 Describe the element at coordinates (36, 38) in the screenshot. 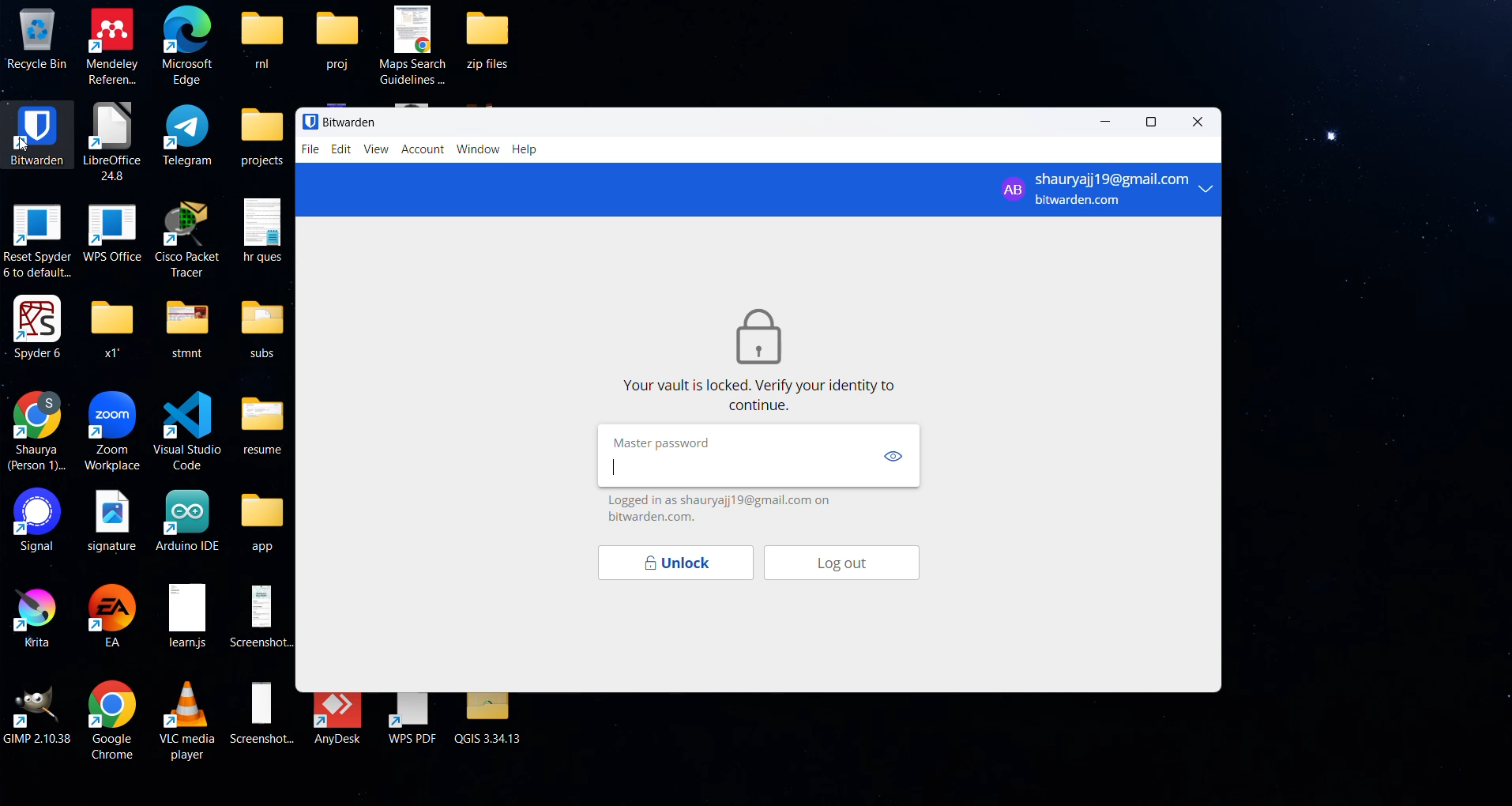

I see `Recycle Bin` at that location.